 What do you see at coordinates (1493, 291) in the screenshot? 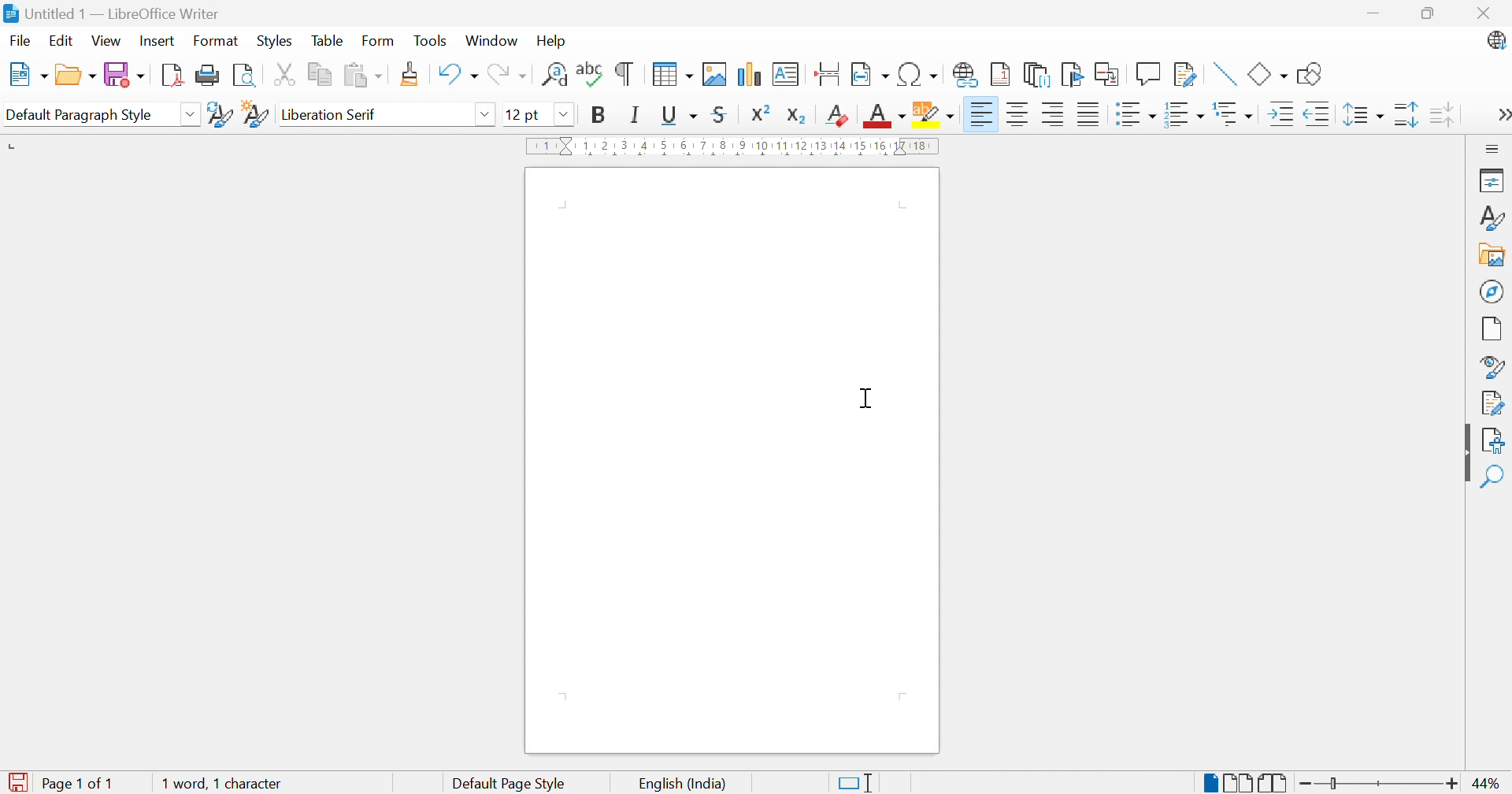
I see `Naigator` at bounding box center [1493, 291].